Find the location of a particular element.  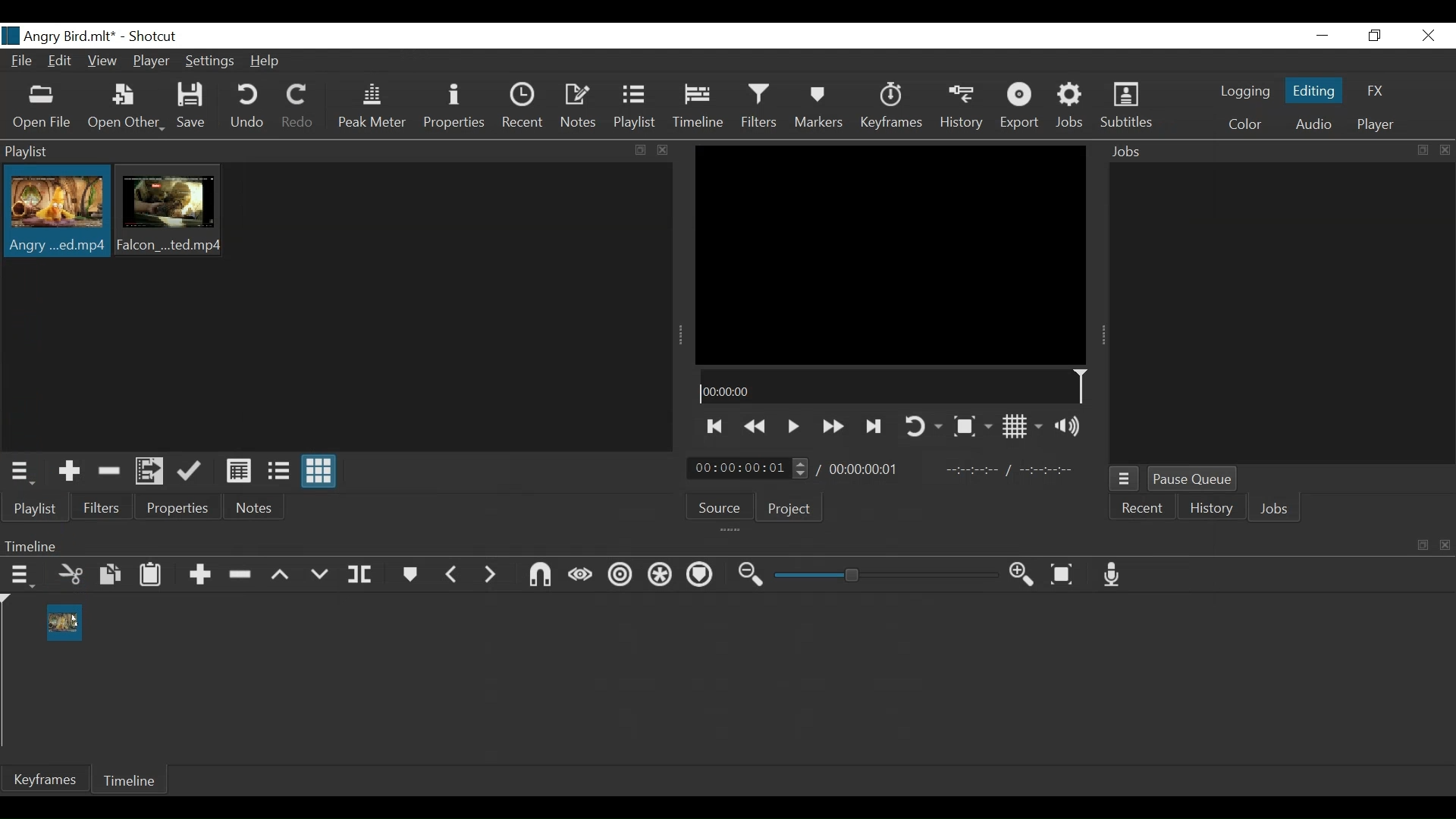

Recent is located at coordinates (524, 107).